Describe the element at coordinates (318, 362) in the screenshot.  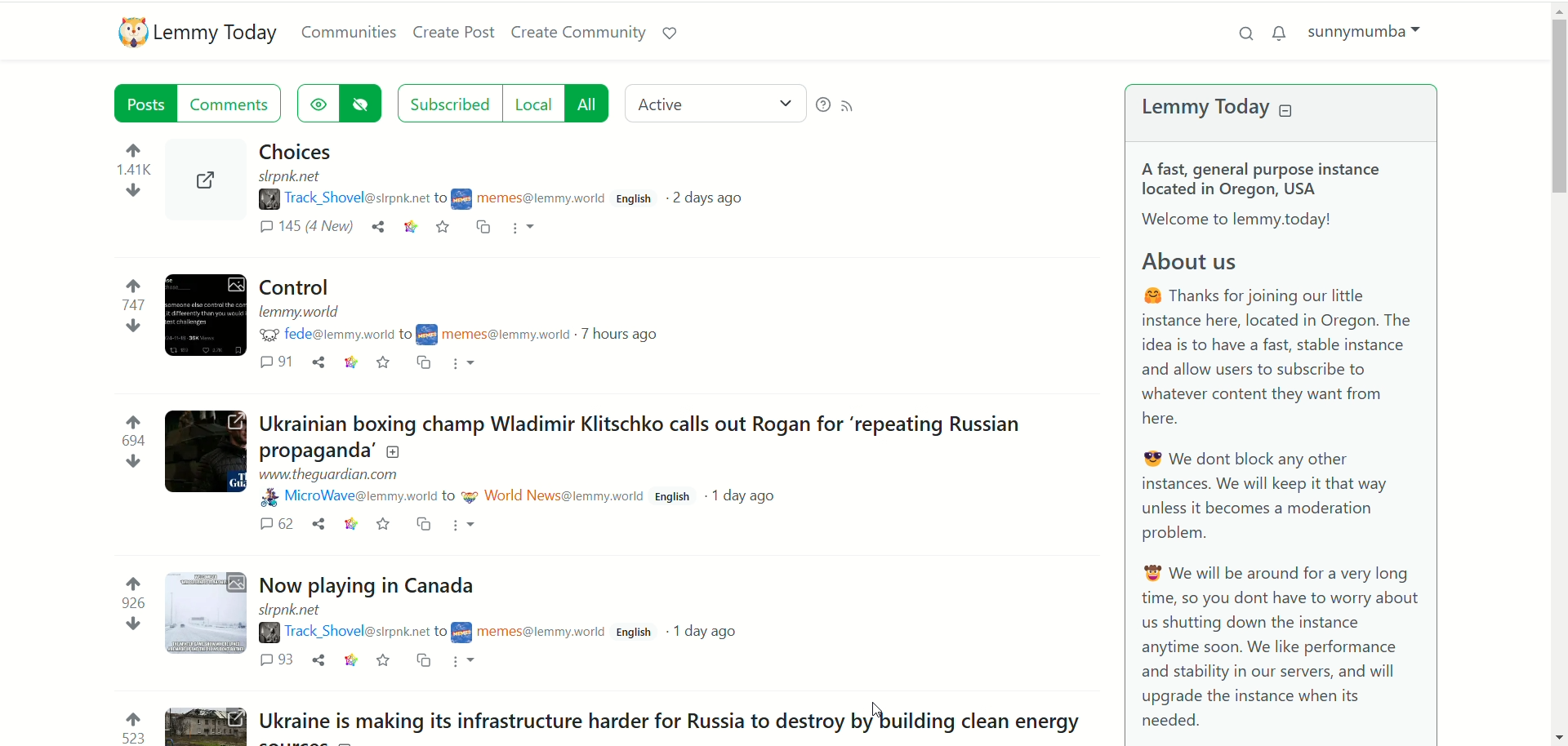
I see `share` at that location.